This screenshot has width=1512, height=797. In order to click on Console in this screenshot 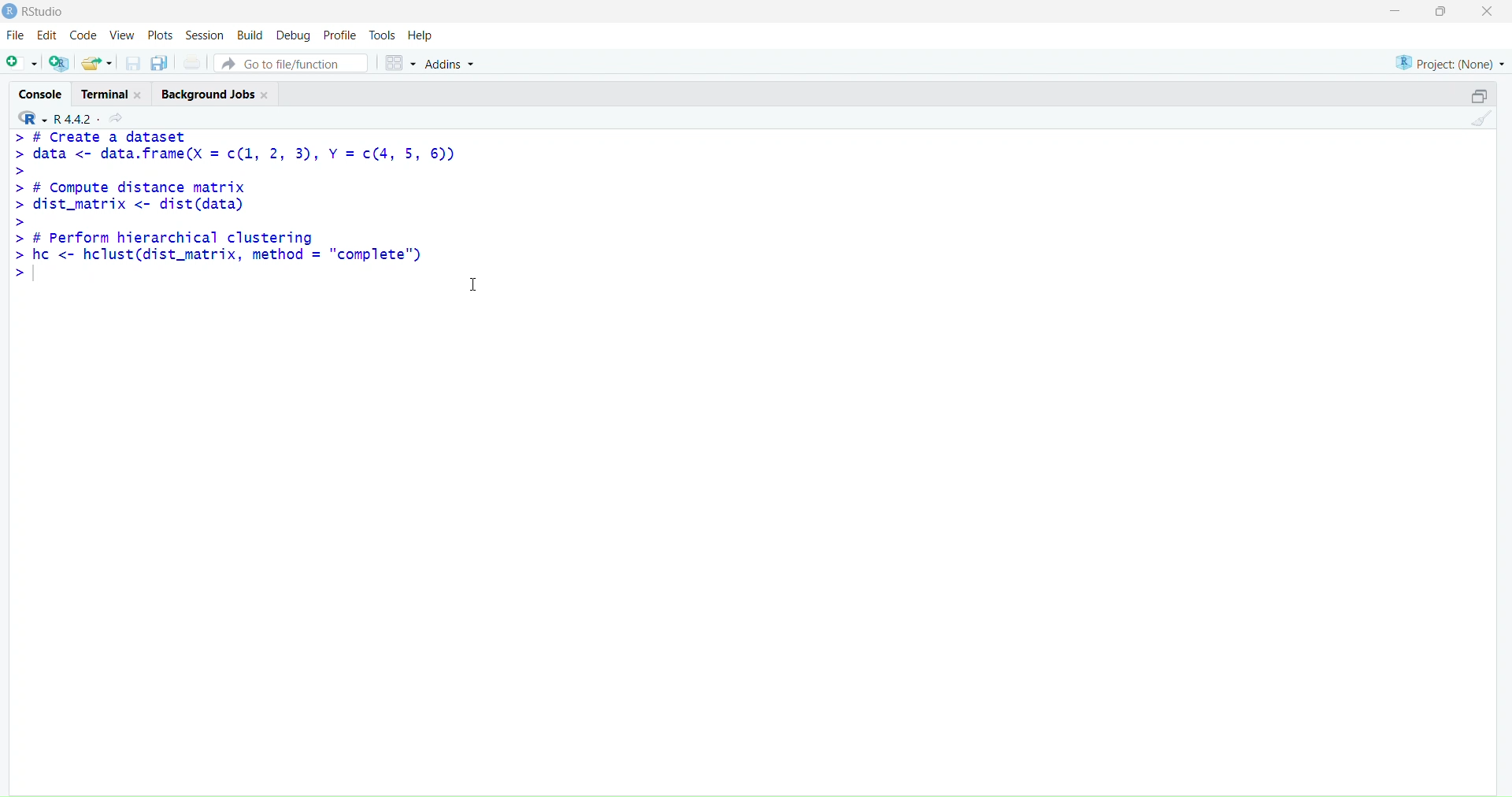, I will do `click(35, 95)`.